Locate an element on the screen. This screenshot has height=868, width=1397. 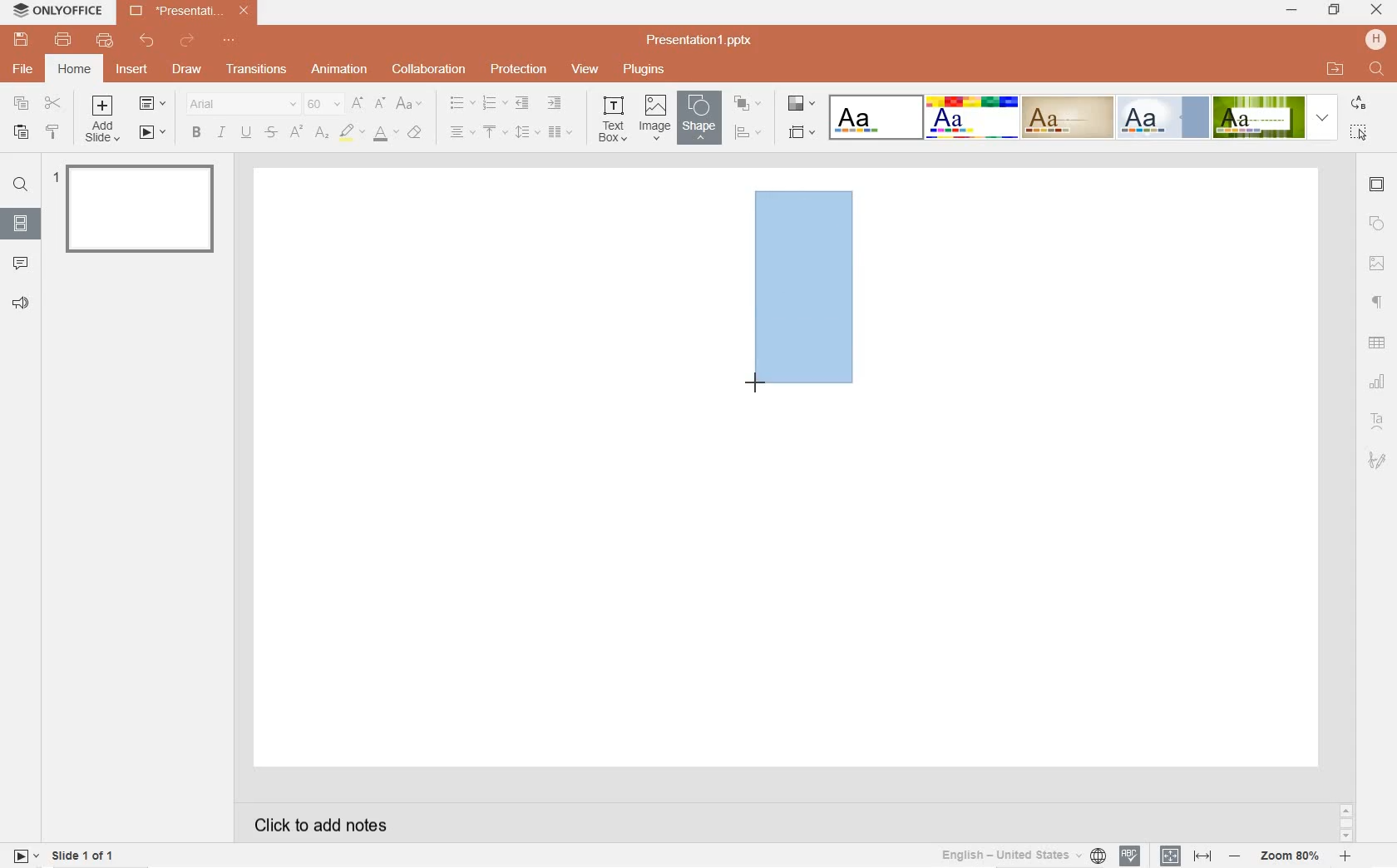
file is located at coordinates (24, 69).